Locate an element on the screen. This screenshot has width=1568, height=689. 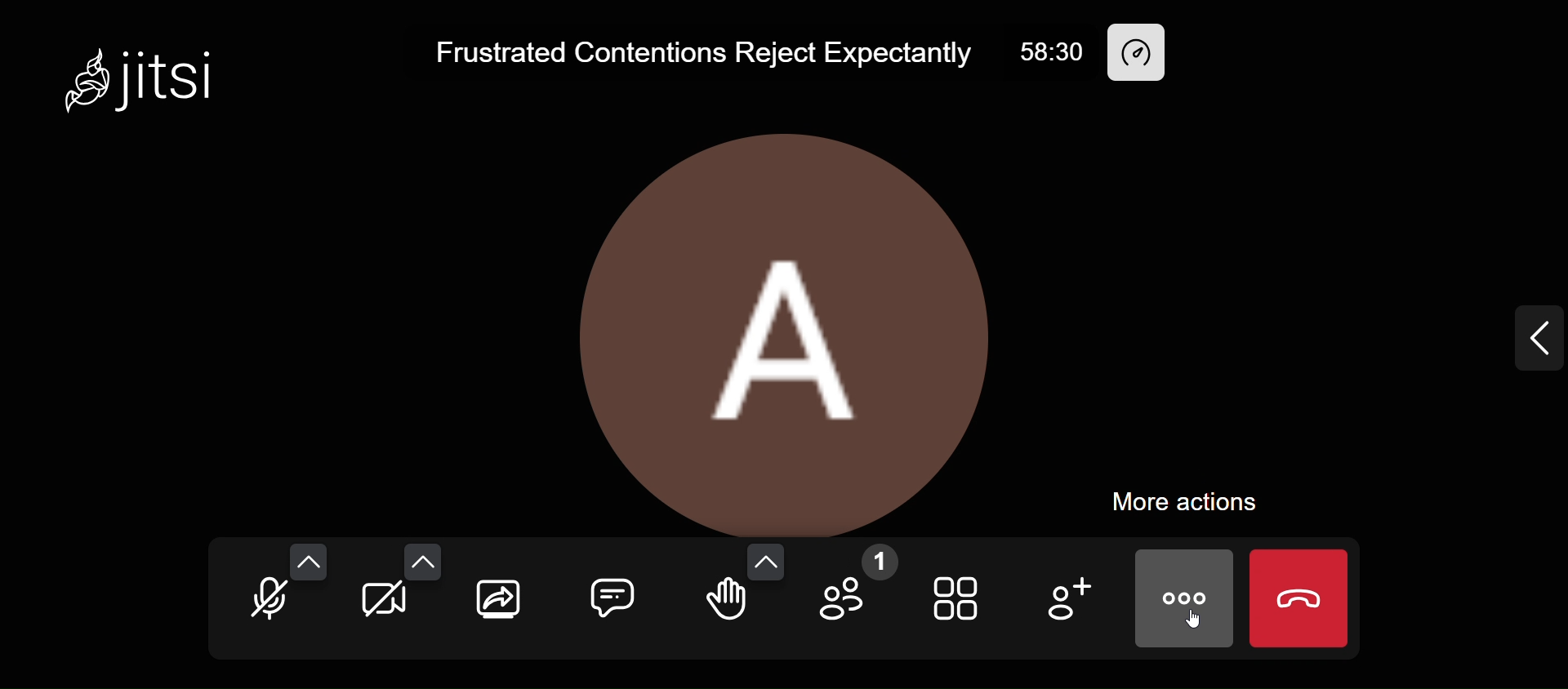
toggle view is located at coordinates (957, 597).